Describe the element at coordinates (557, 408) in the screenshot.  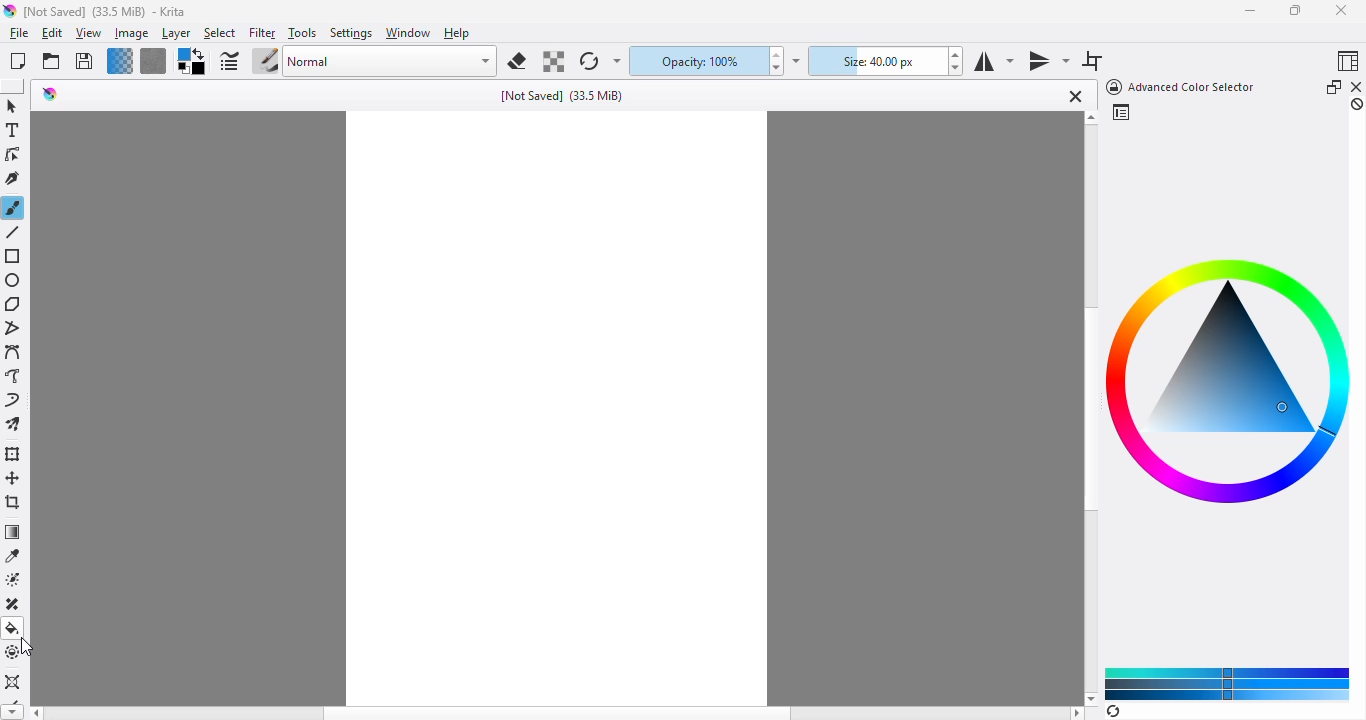
I see `canvas` at that location.